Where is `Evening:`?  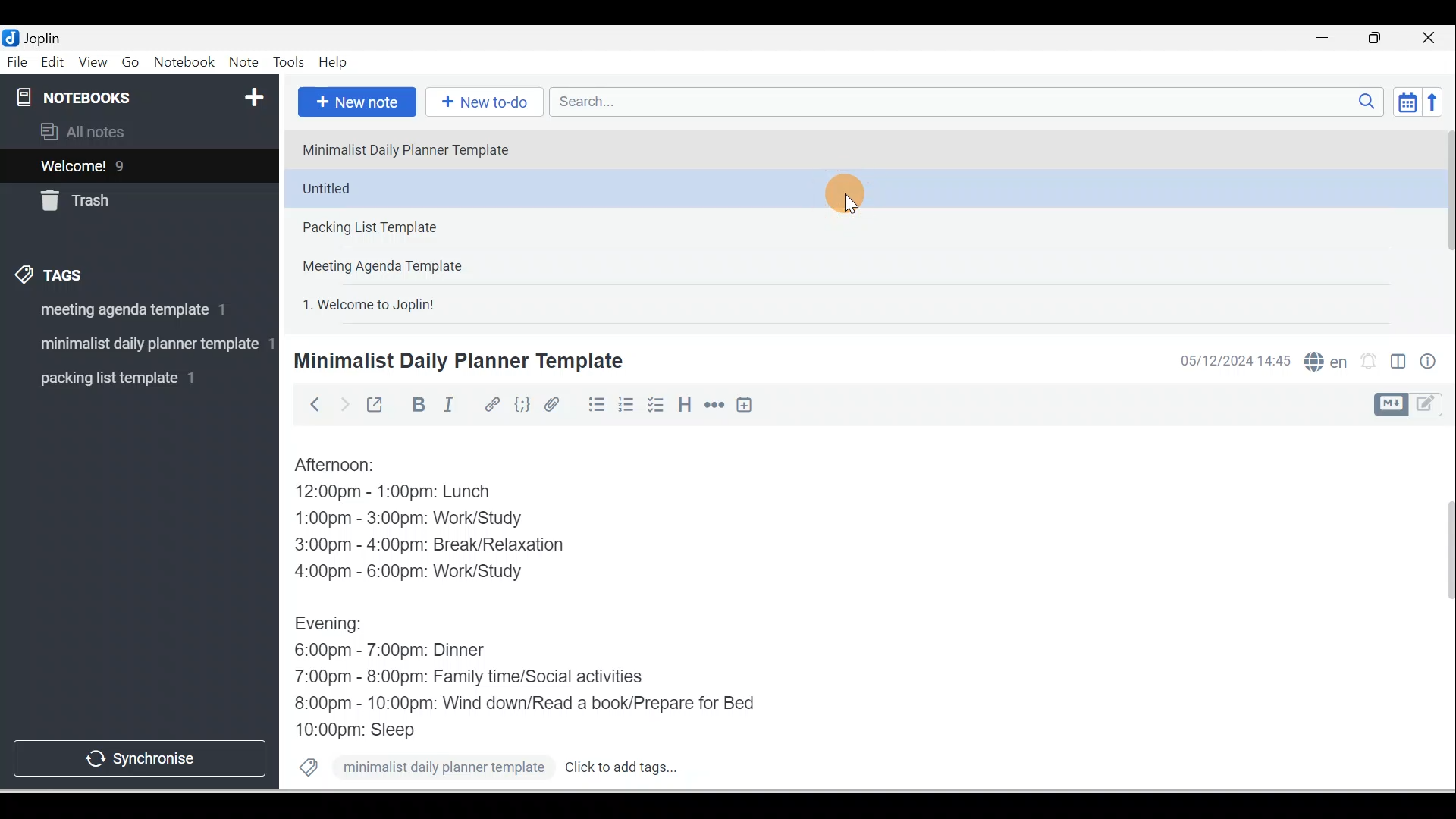 Evening: is located at coordinates (339, 626).